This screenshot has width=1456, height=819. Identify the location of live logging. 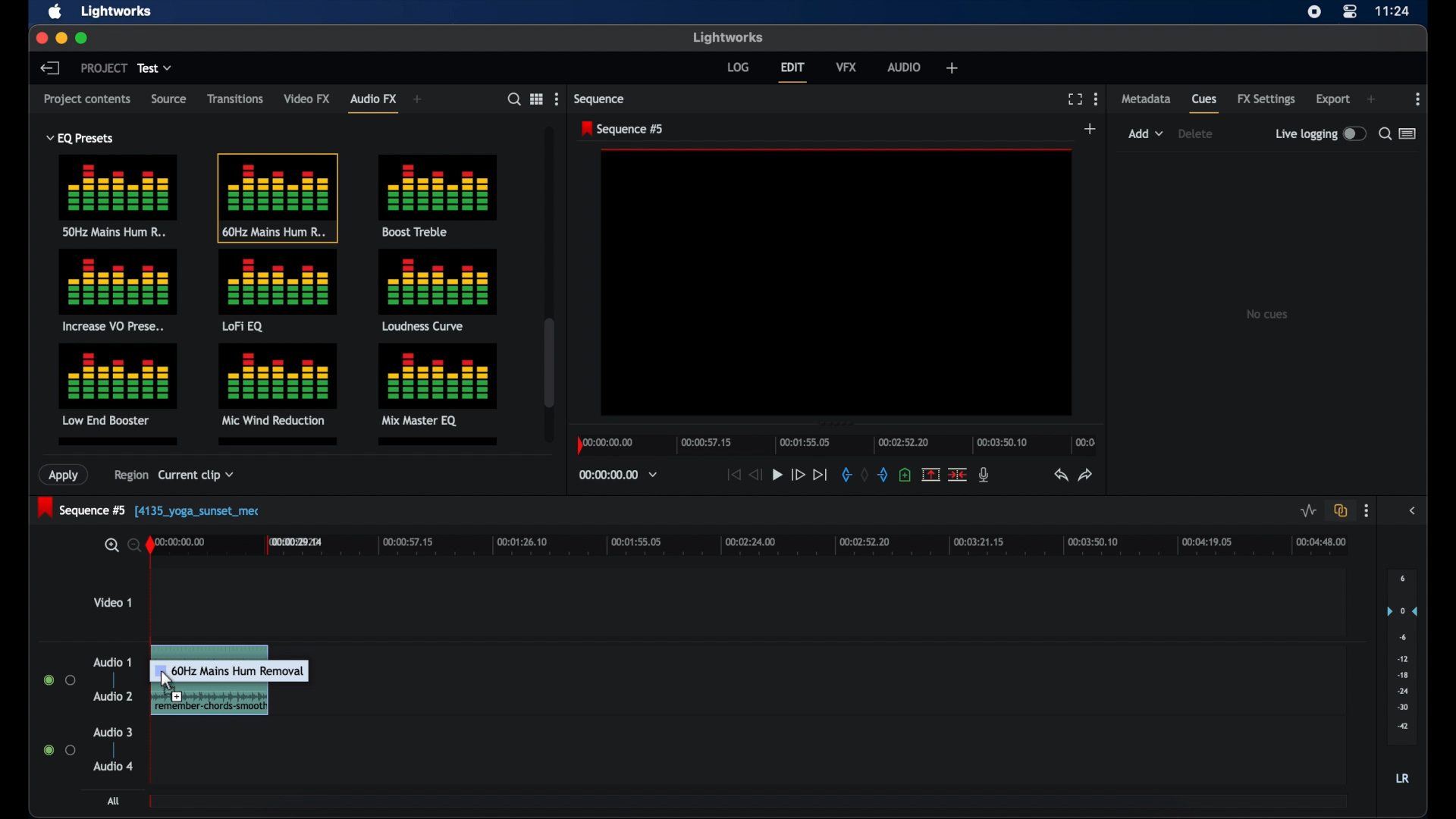
(1319, 133).